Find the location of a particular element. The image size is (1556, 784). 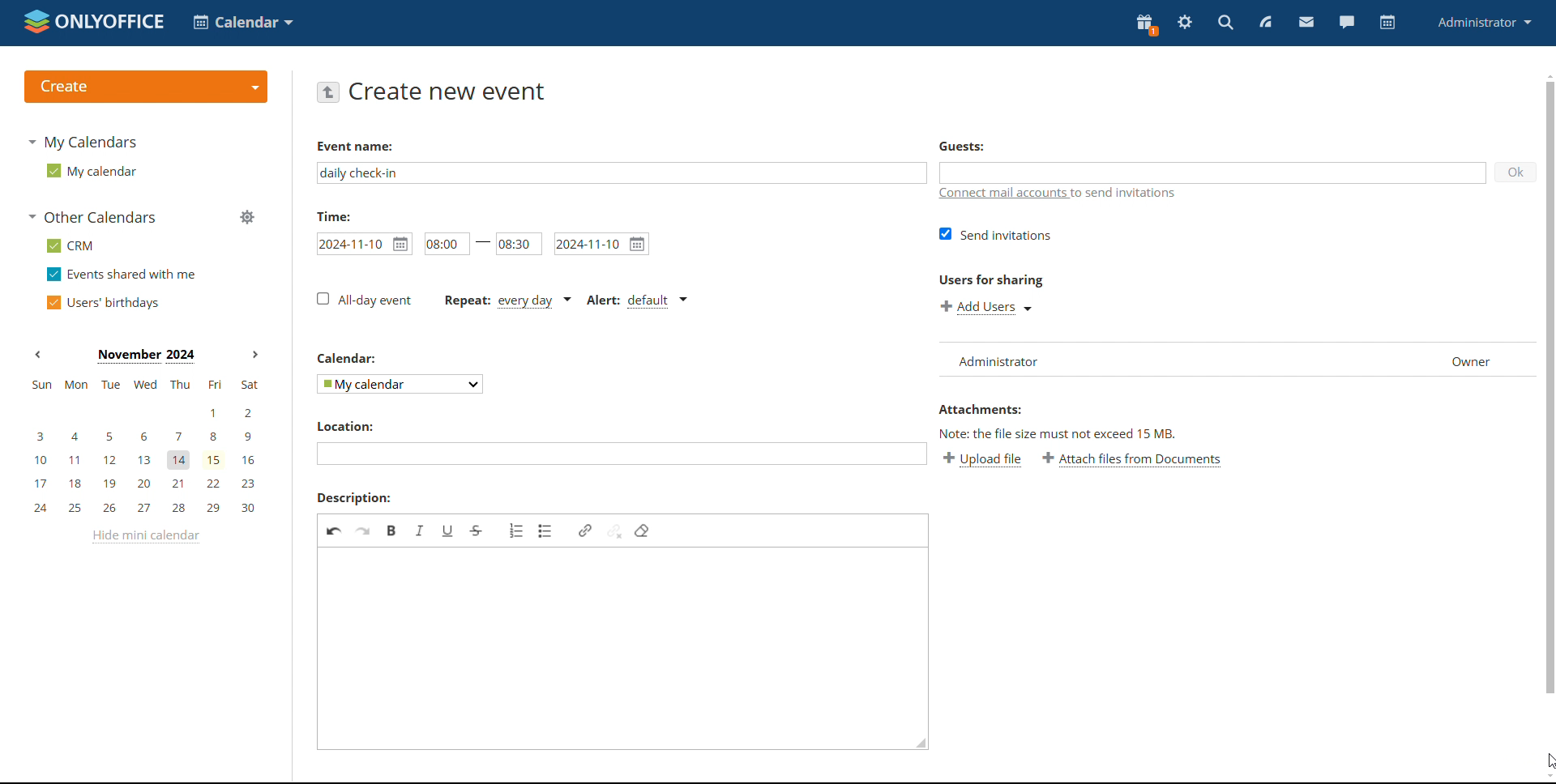

end time is located at coordinates (519, 245).